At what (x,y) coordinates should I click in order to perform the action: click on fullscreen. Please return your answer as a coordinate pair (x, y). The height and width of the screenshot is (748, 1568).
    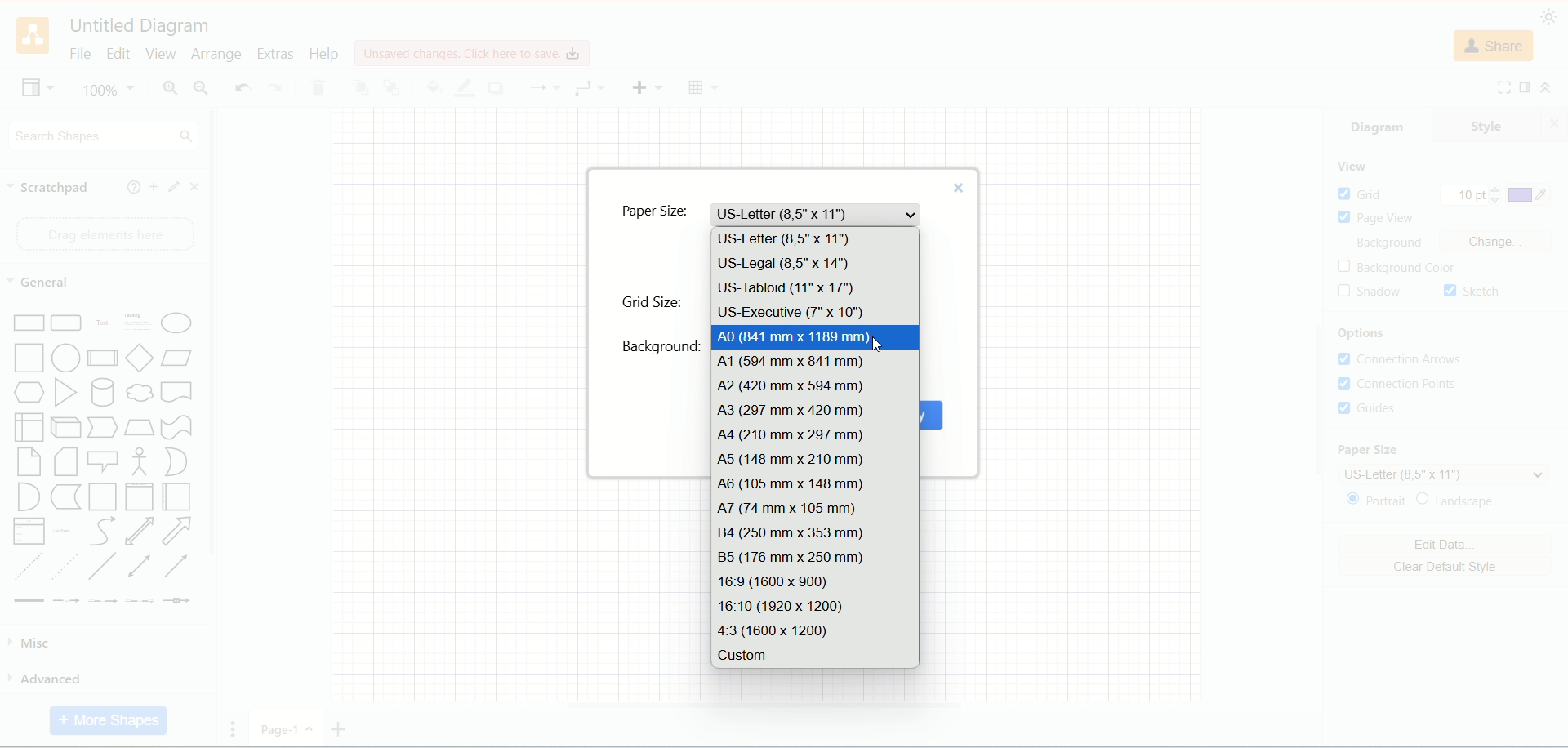
    Looking at the image, I should click on (1503, 87).